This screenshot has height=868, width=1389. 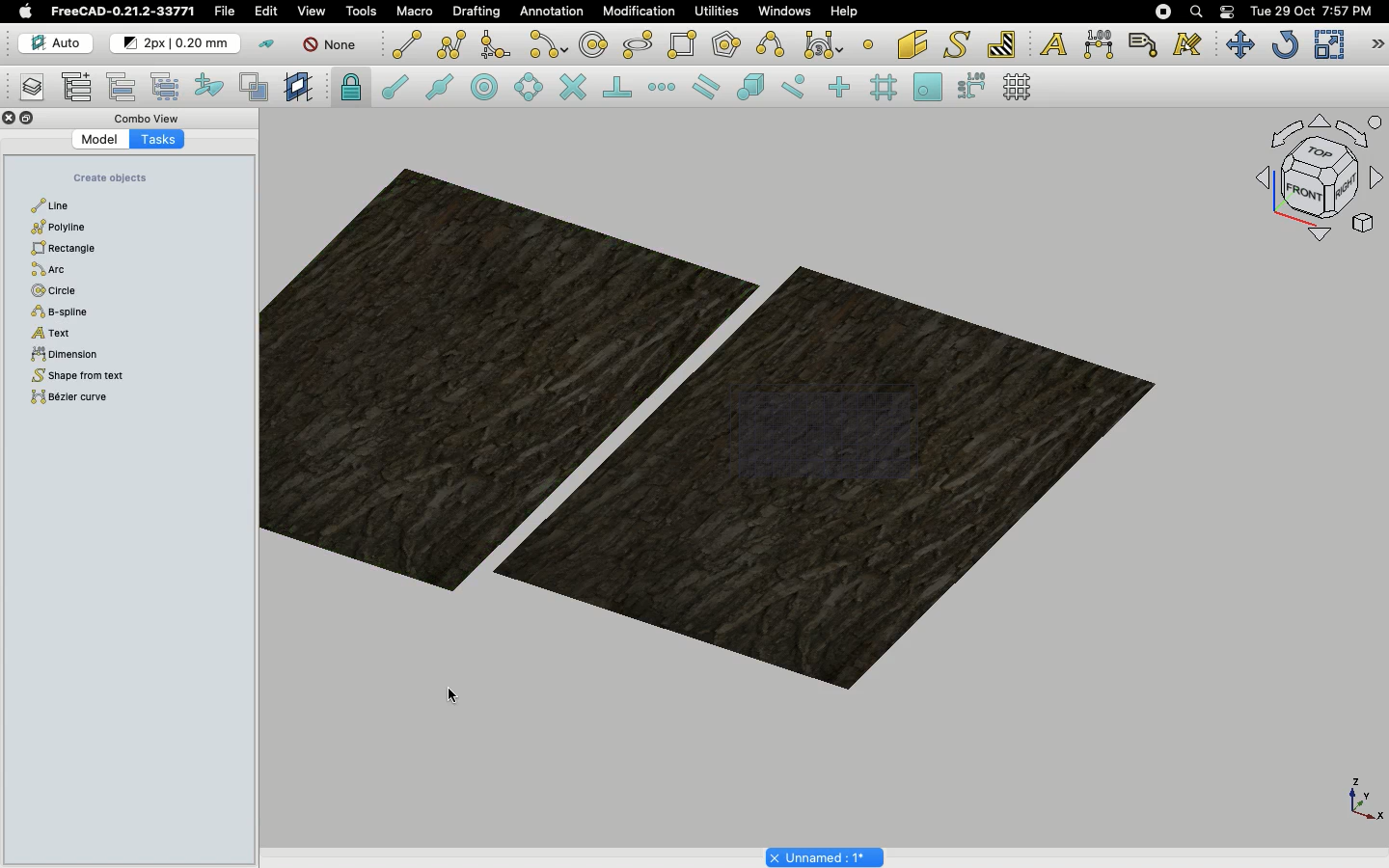 I want to click on Object selected, so click(x=709, y=428).